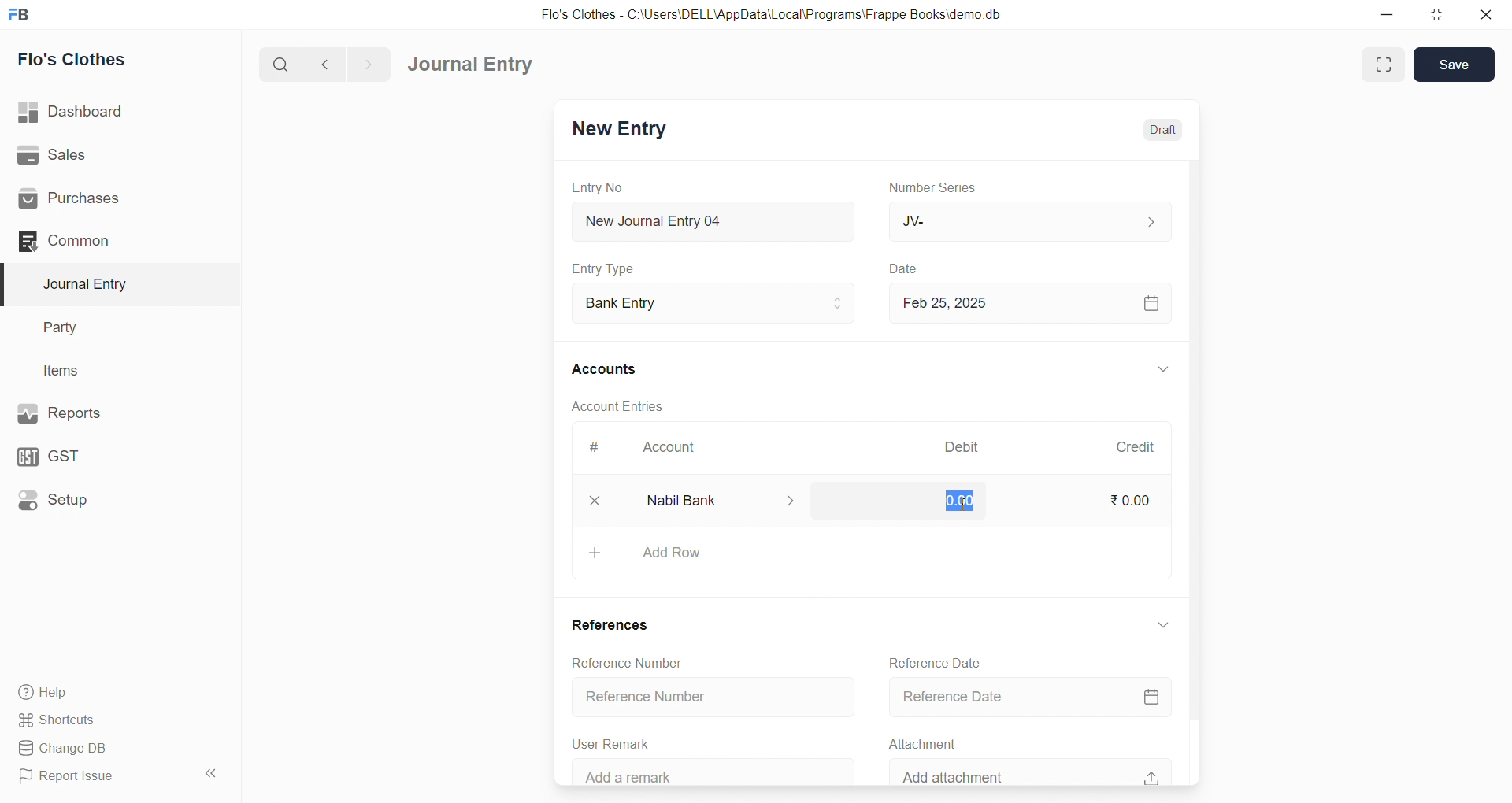  What do you see at coordinates (115, 719) in the screenshot?
I see `Shortcuts` at bounding box center [115, 719].